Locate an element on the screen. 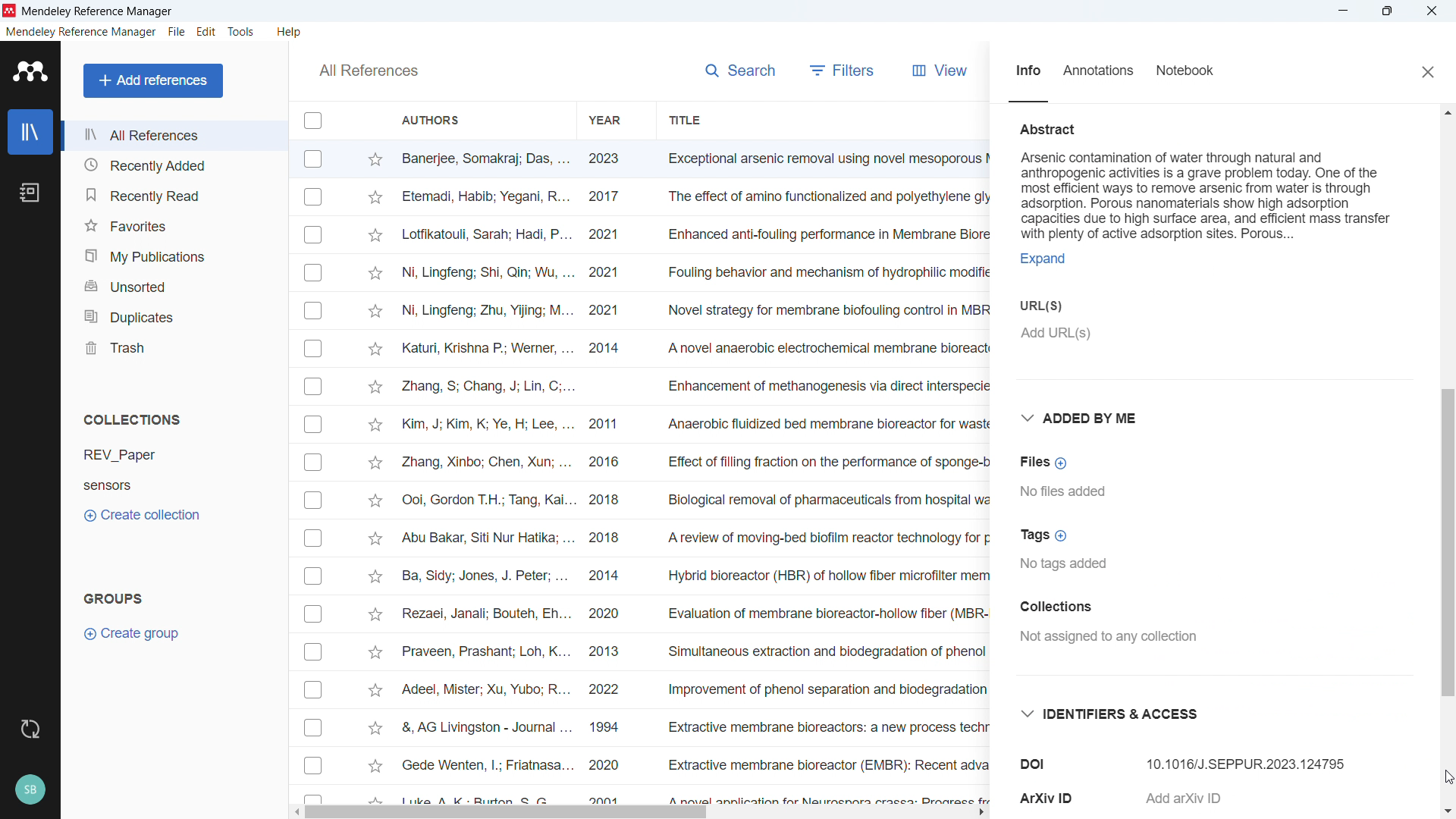  click to select individual entry is located at coordinates (315, 692).